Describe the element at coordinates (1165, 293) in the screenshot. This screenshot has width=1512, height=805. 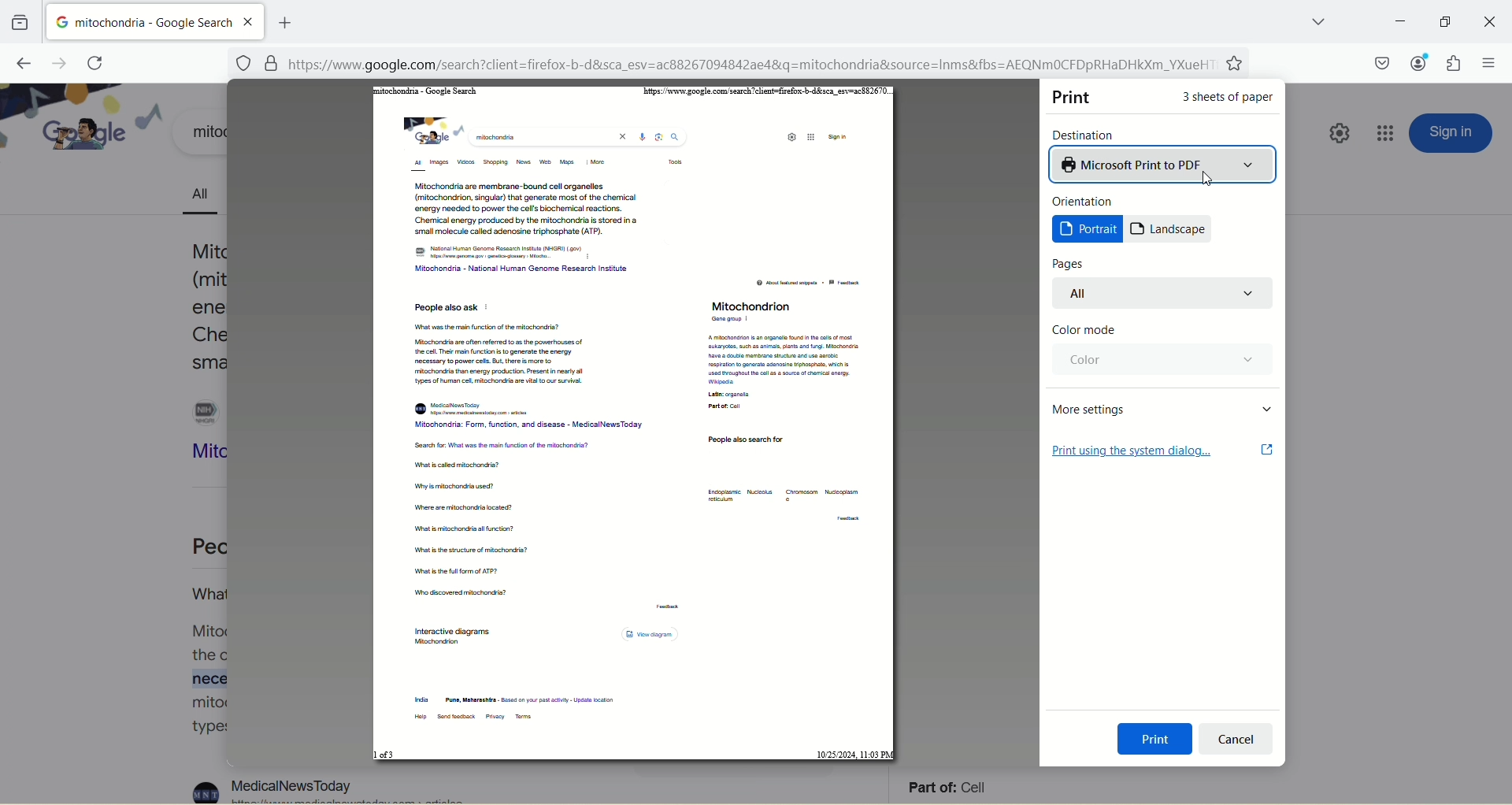
I see `all` at that location.